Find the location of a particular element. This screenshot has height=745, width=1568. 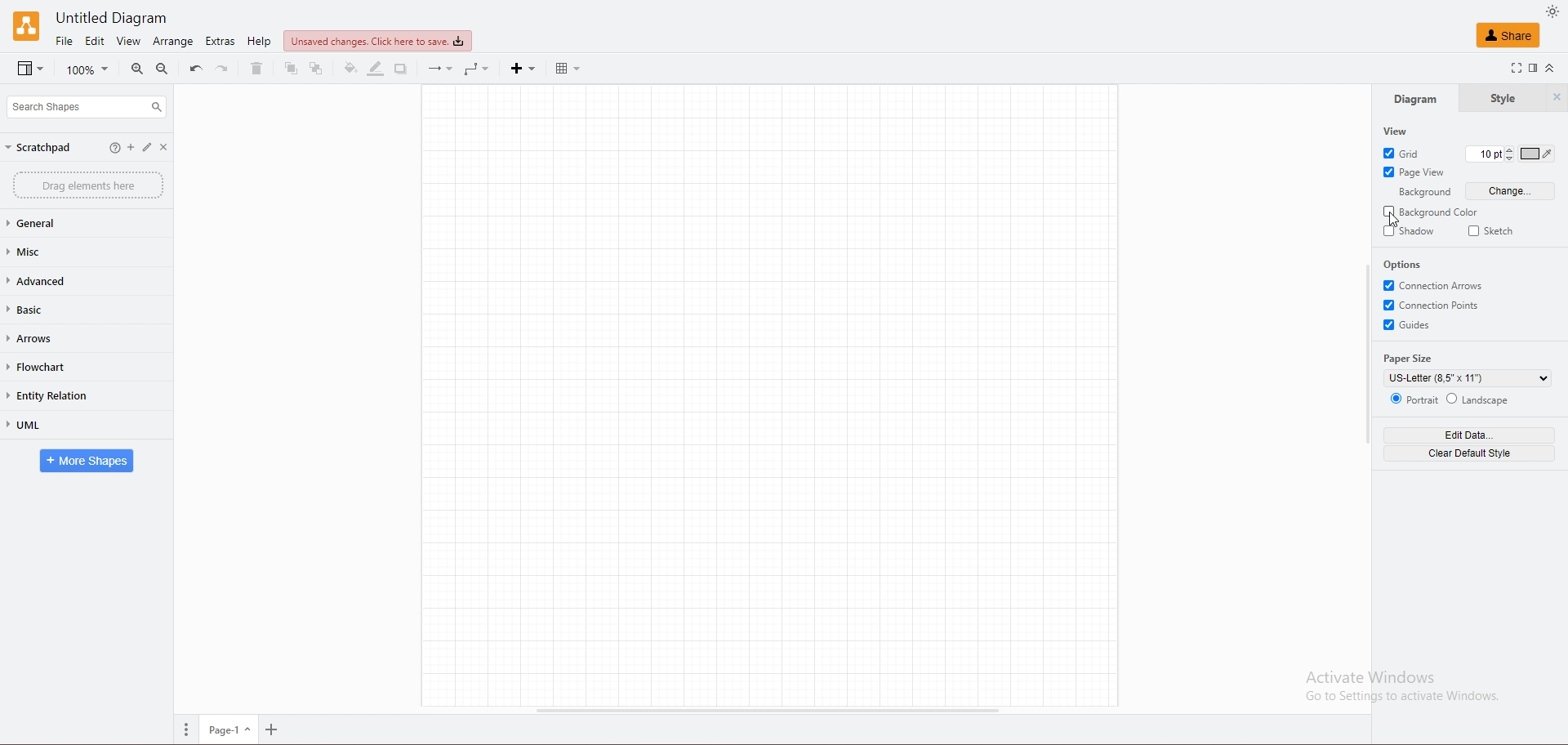

view is located at coordinates (1397, 131).